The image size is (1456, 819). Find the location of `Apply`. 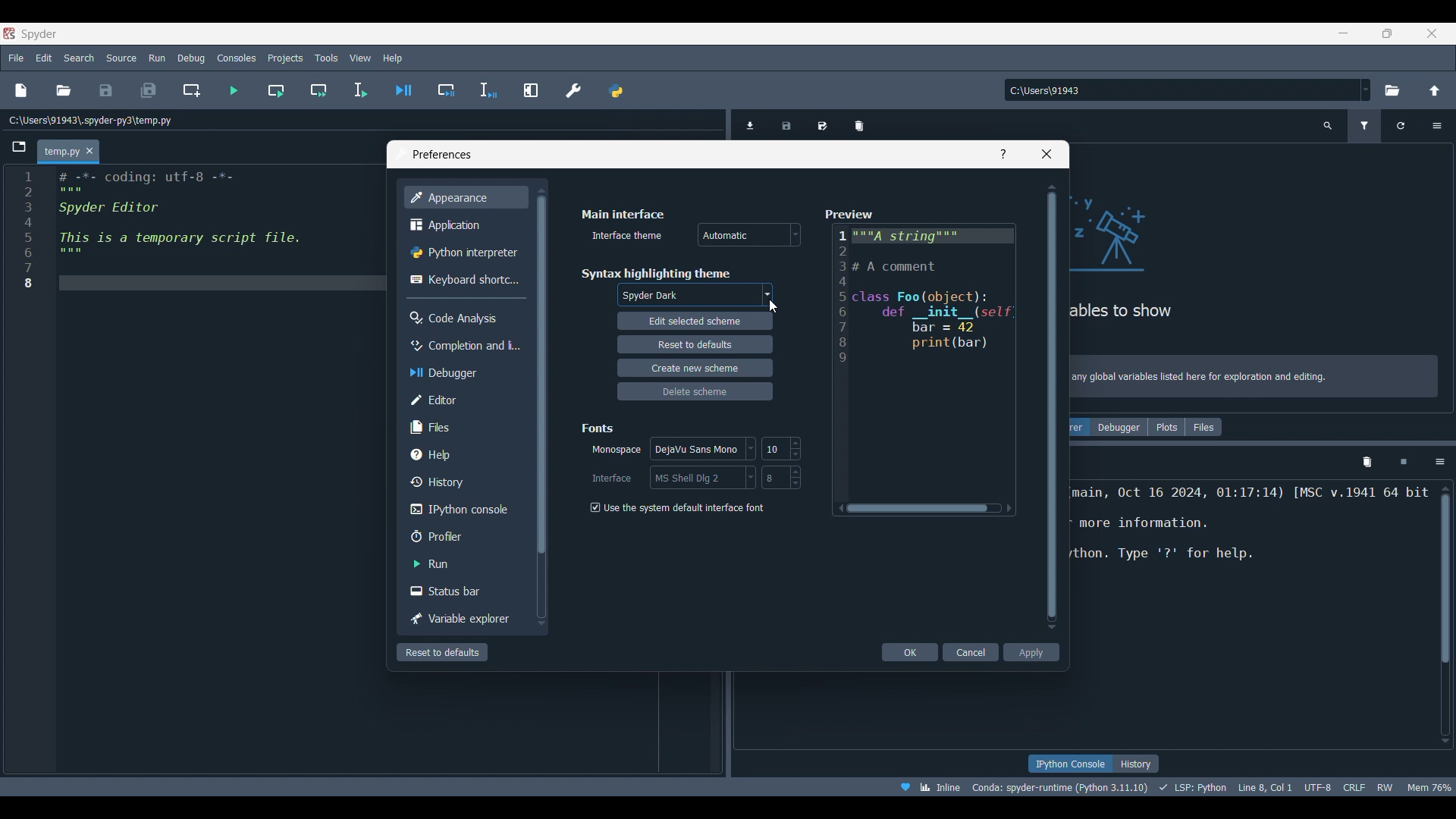

Apply is located at coordinates (1032, 652).